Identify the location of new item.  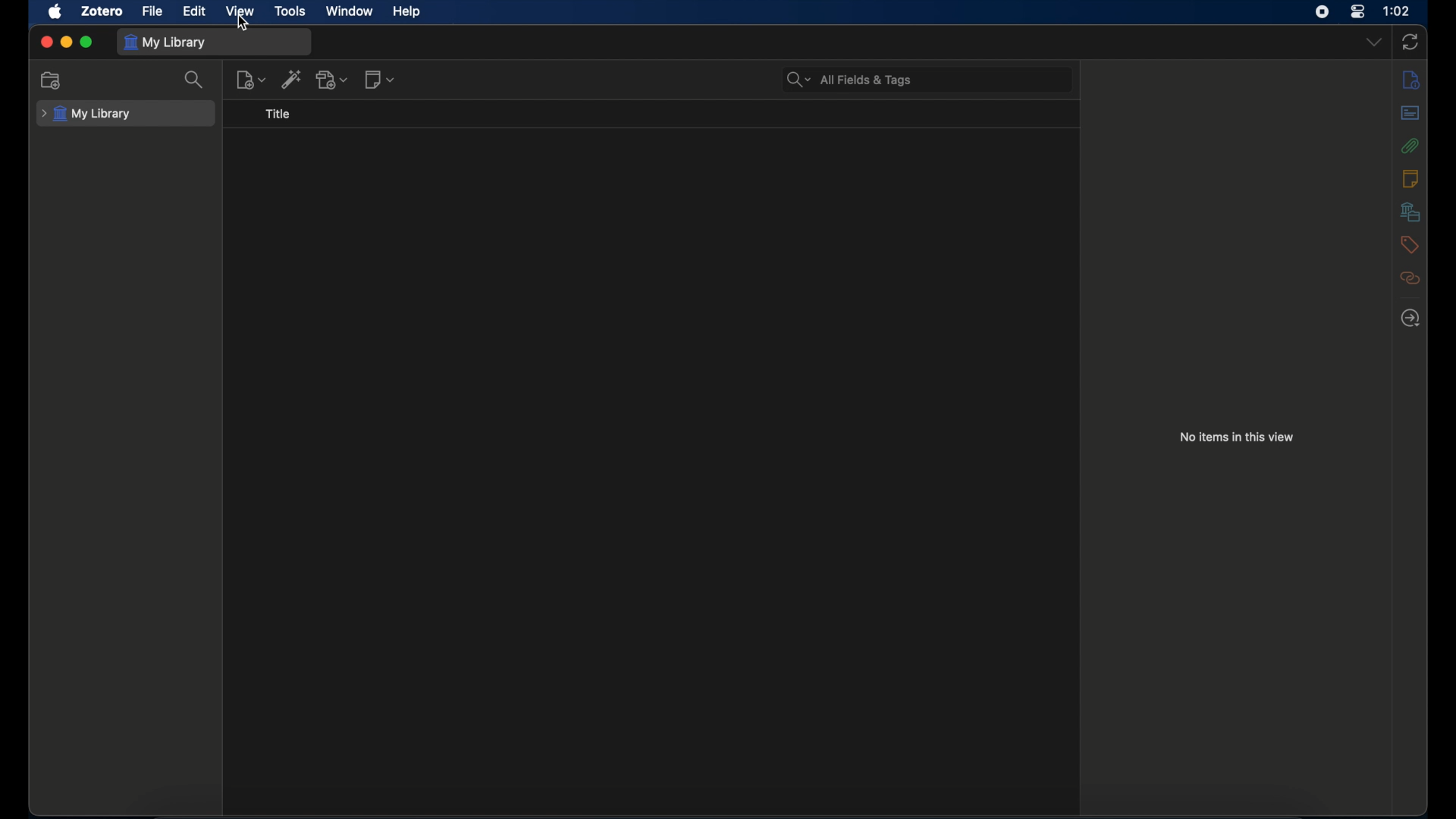
(251, 80).